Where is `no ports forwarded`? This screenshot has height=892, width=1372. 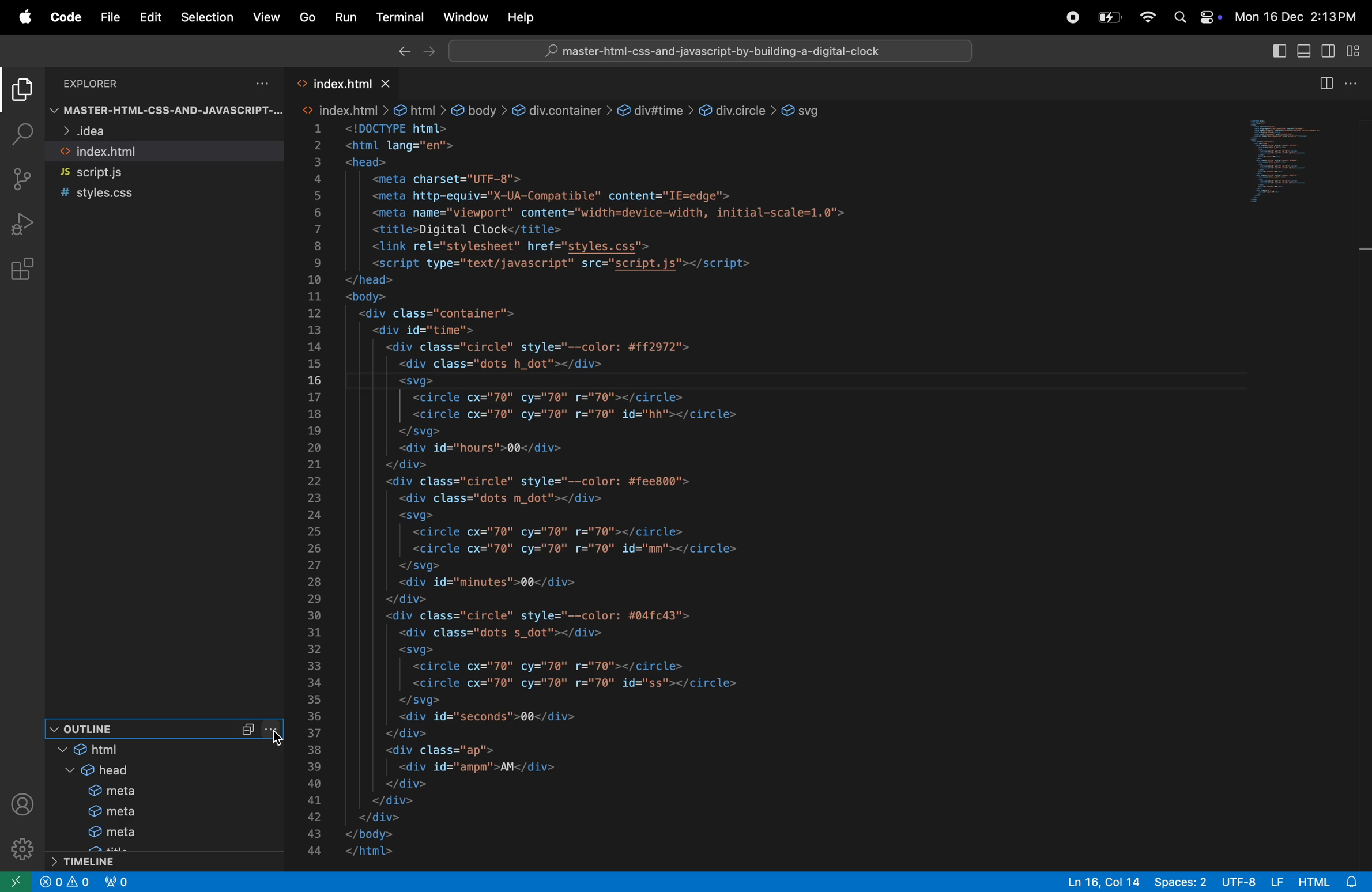 no ports forwarded is located at coordinates (120, 881).